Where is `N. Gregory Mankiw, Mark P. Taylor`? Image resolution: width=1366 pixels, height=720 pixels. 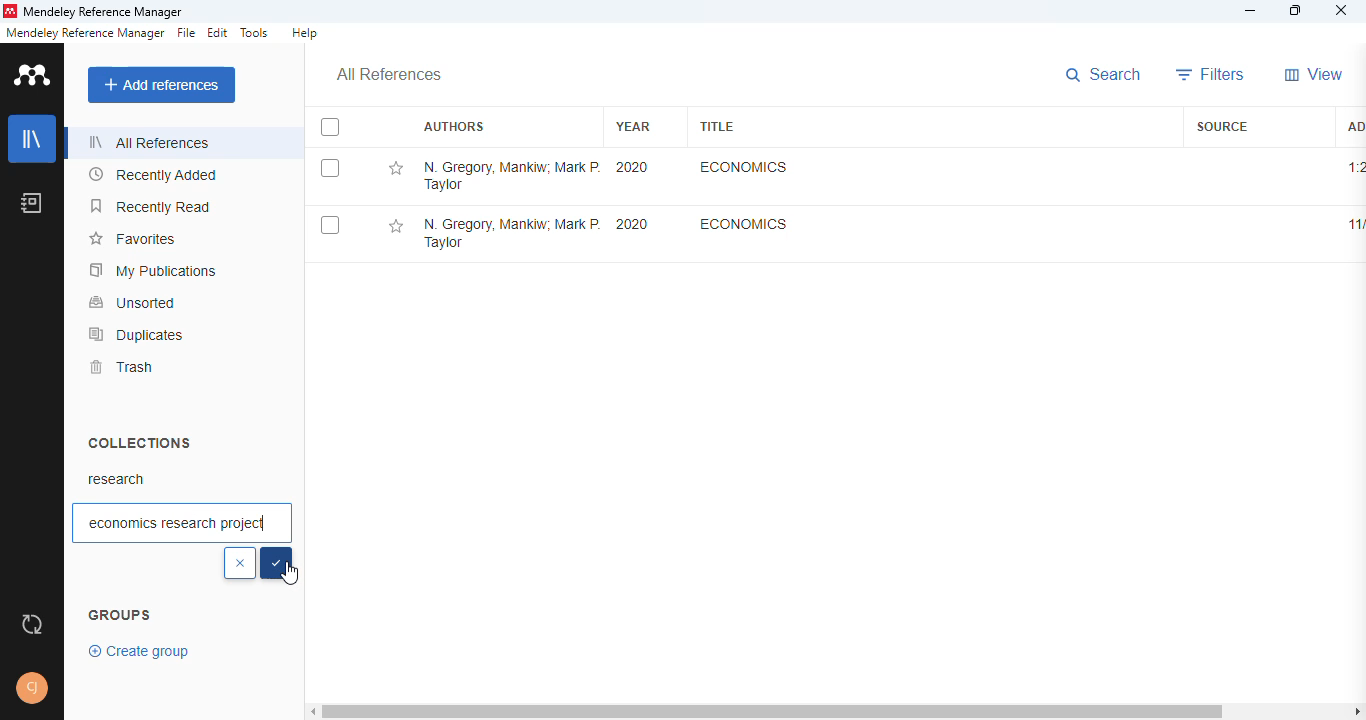
N. Gregory Mankiw, Mark P. Taylor is located at coordinates (511, 175).